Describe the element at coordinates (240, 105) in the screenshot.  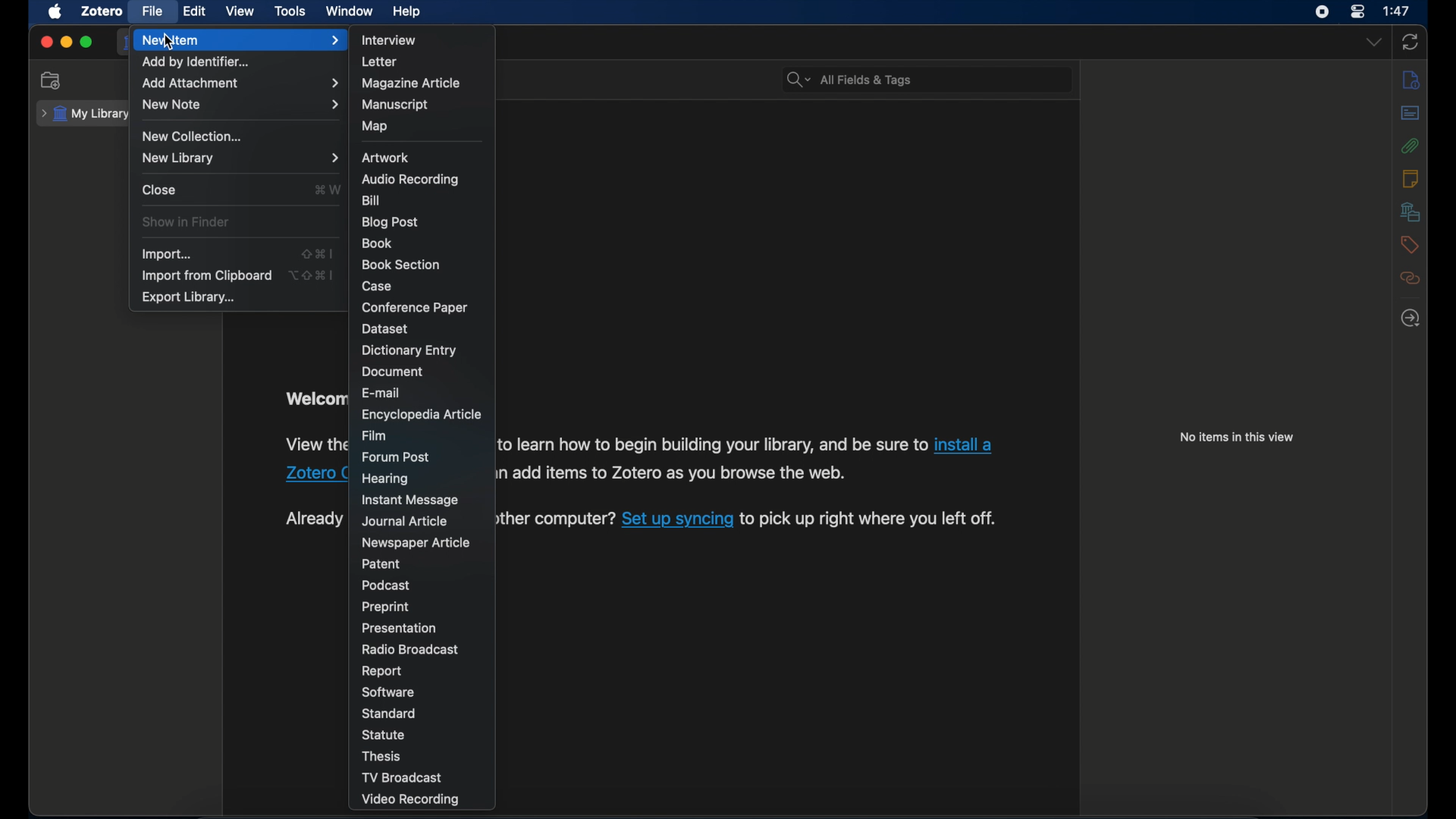
I see `new note` at that location.